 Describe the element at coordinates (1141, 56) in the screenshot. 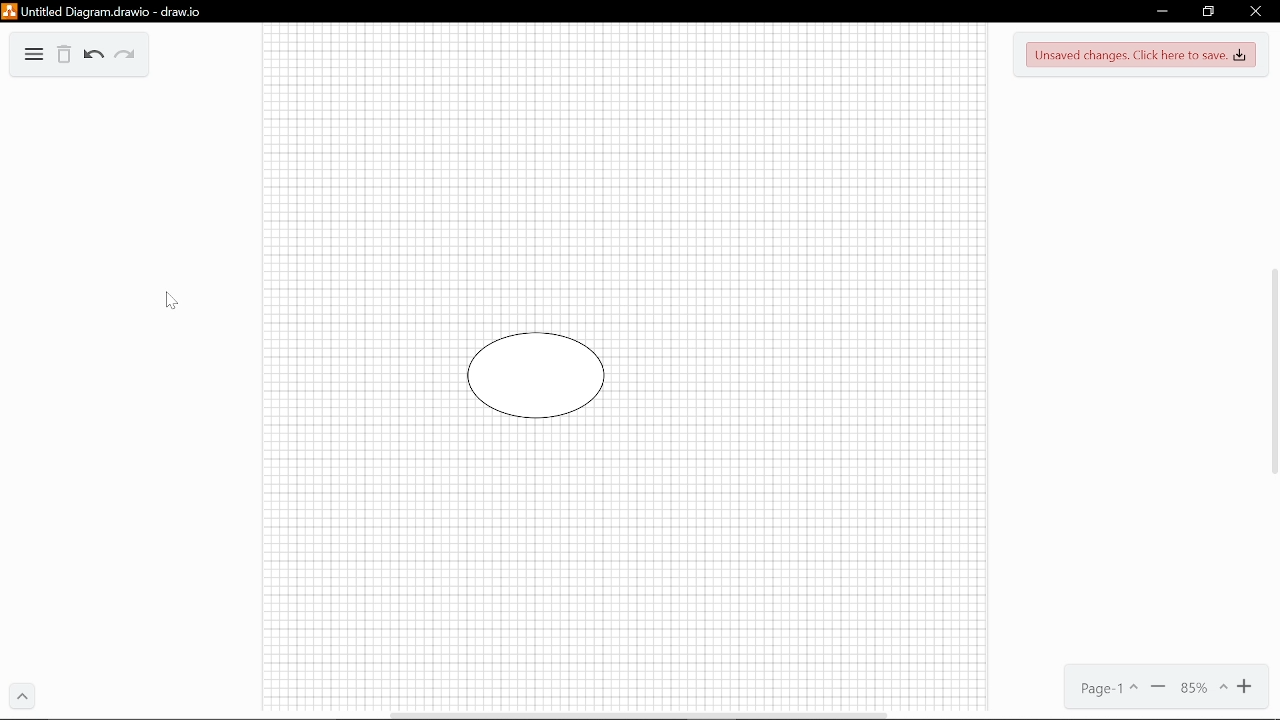

I see `Unsaved changes. Click here to save.` at that location.